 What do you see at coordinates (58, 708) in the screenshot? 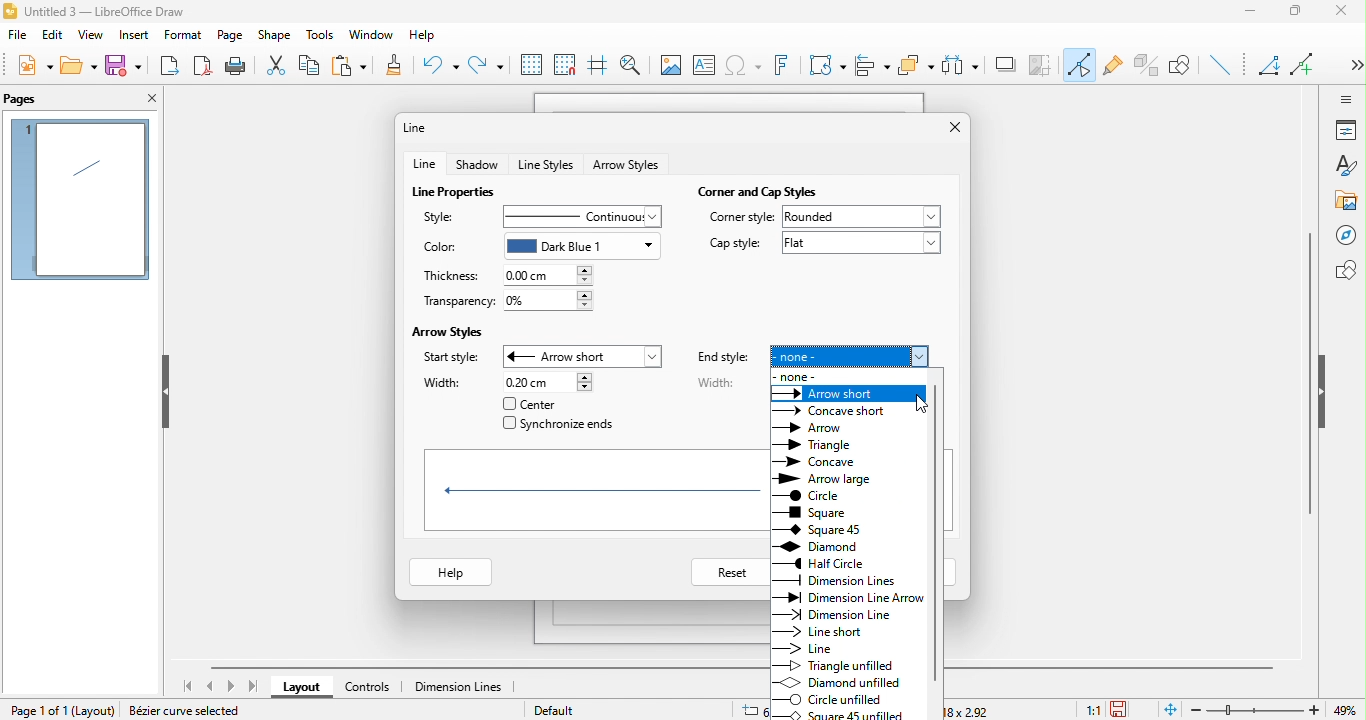
I see `page 1 of 1 (Layout)` at bounding box center [58, 708].